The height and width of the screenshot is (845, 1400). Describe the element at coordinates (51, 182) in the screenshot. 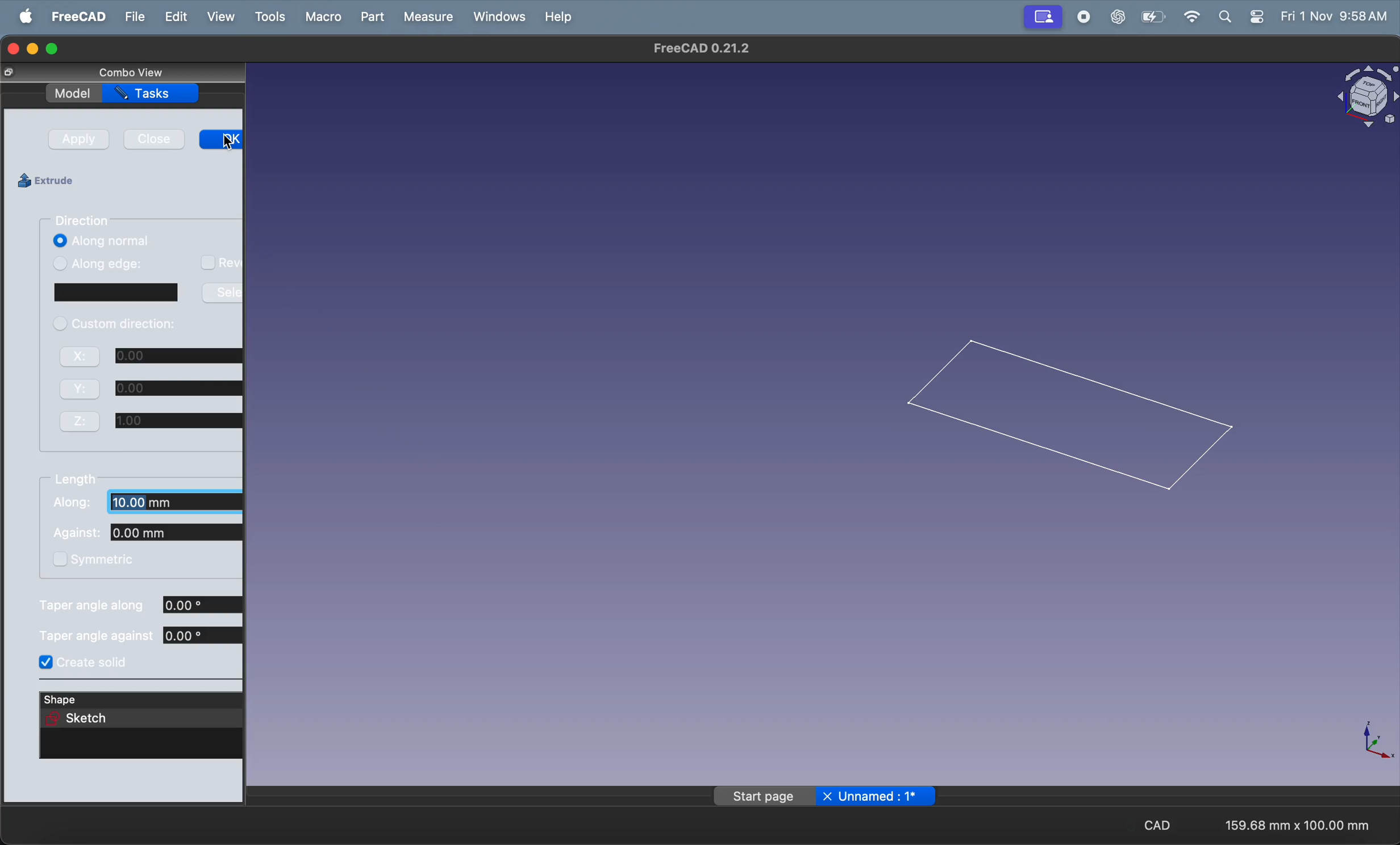

I see `extrude` at that location.